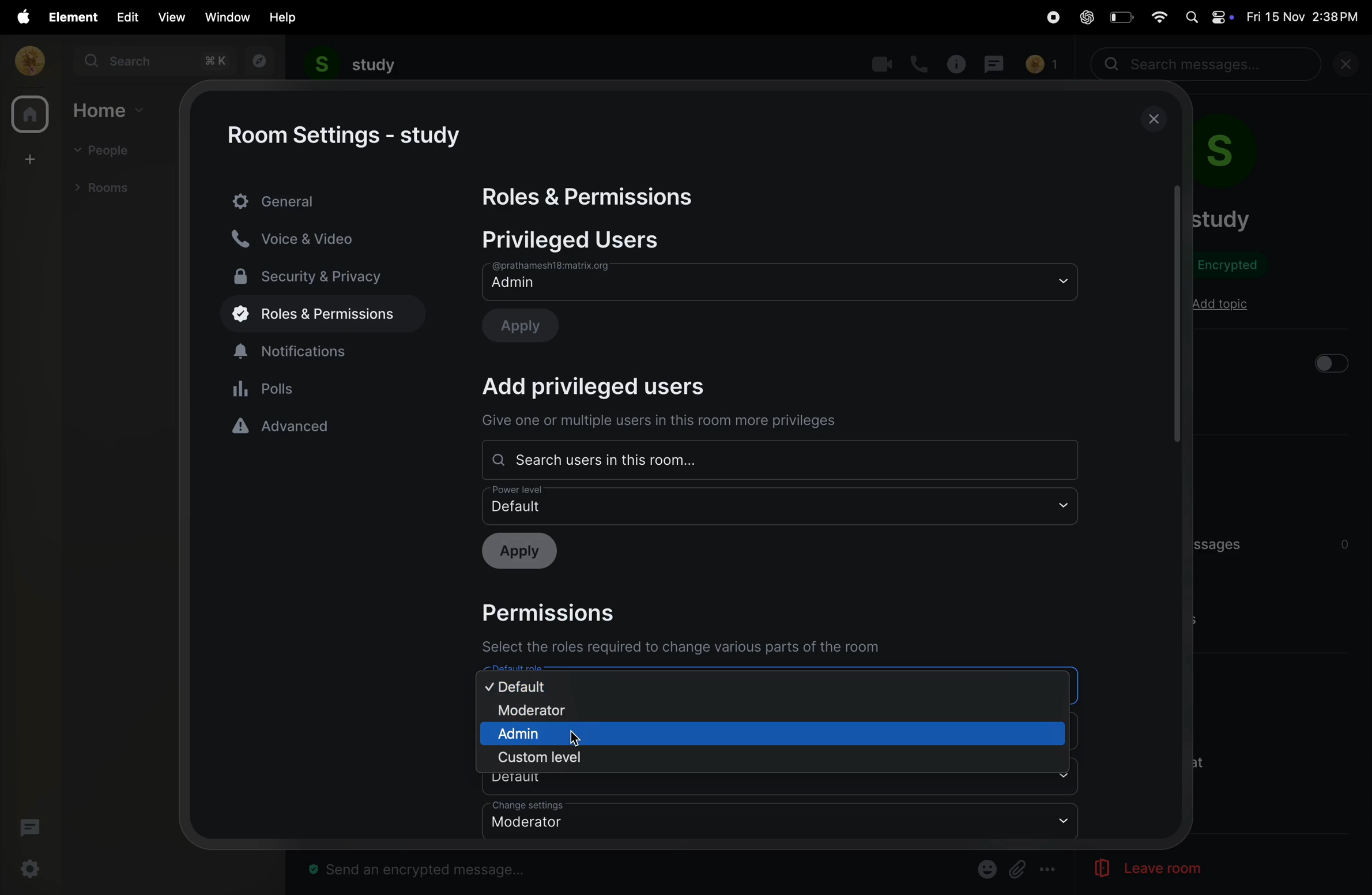 This screenshot has width=1372, height=895. I want to click on home, so click(111, 110).